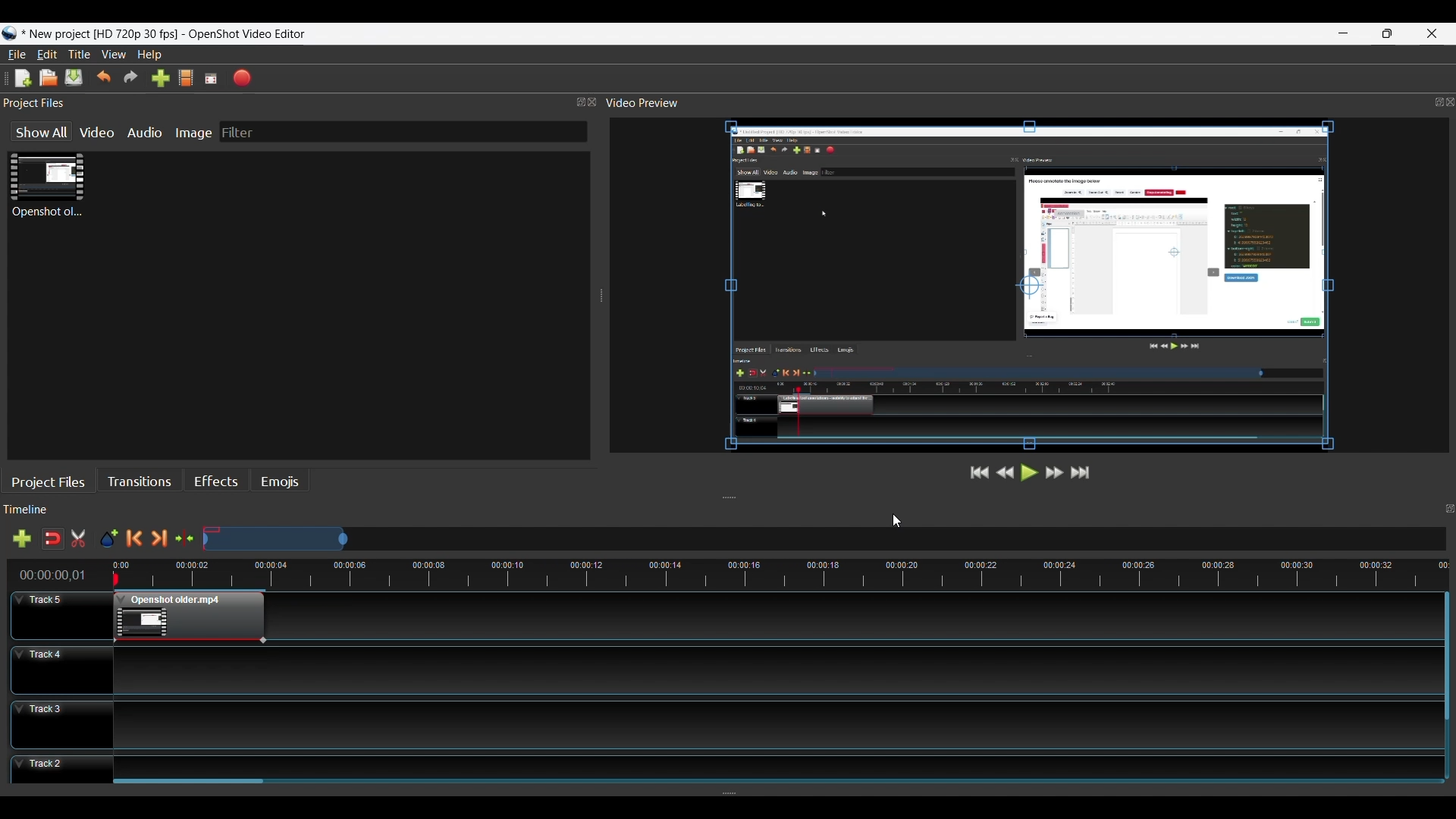 This screenshot has height=819, width=1456. Describe the element at coordinates (1446, 657) in the screenshot. I see `Vertical Scroll bar` at that location.